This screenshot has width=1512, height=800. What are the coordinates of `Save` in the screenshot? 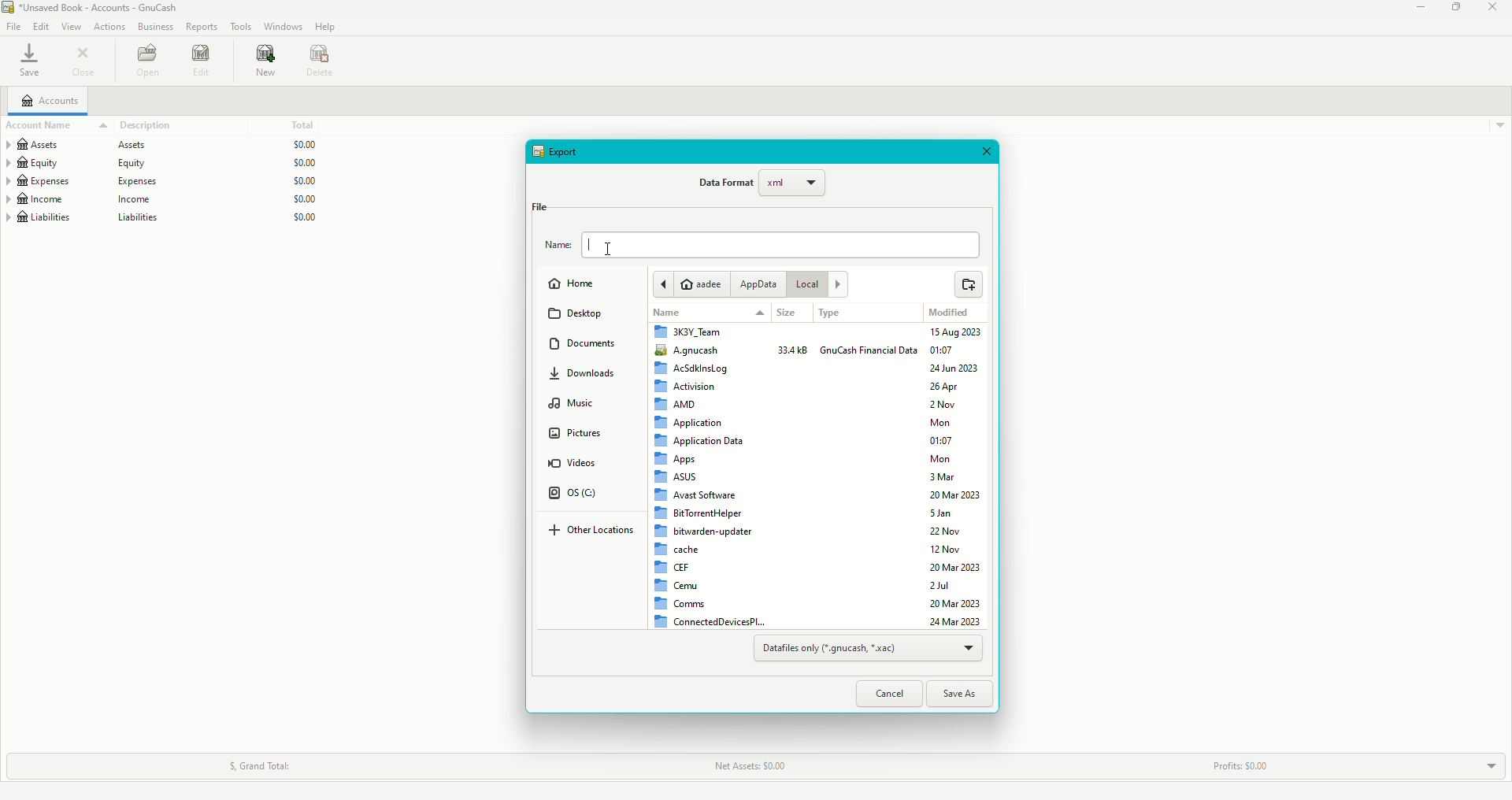 It's located at (31, 61).